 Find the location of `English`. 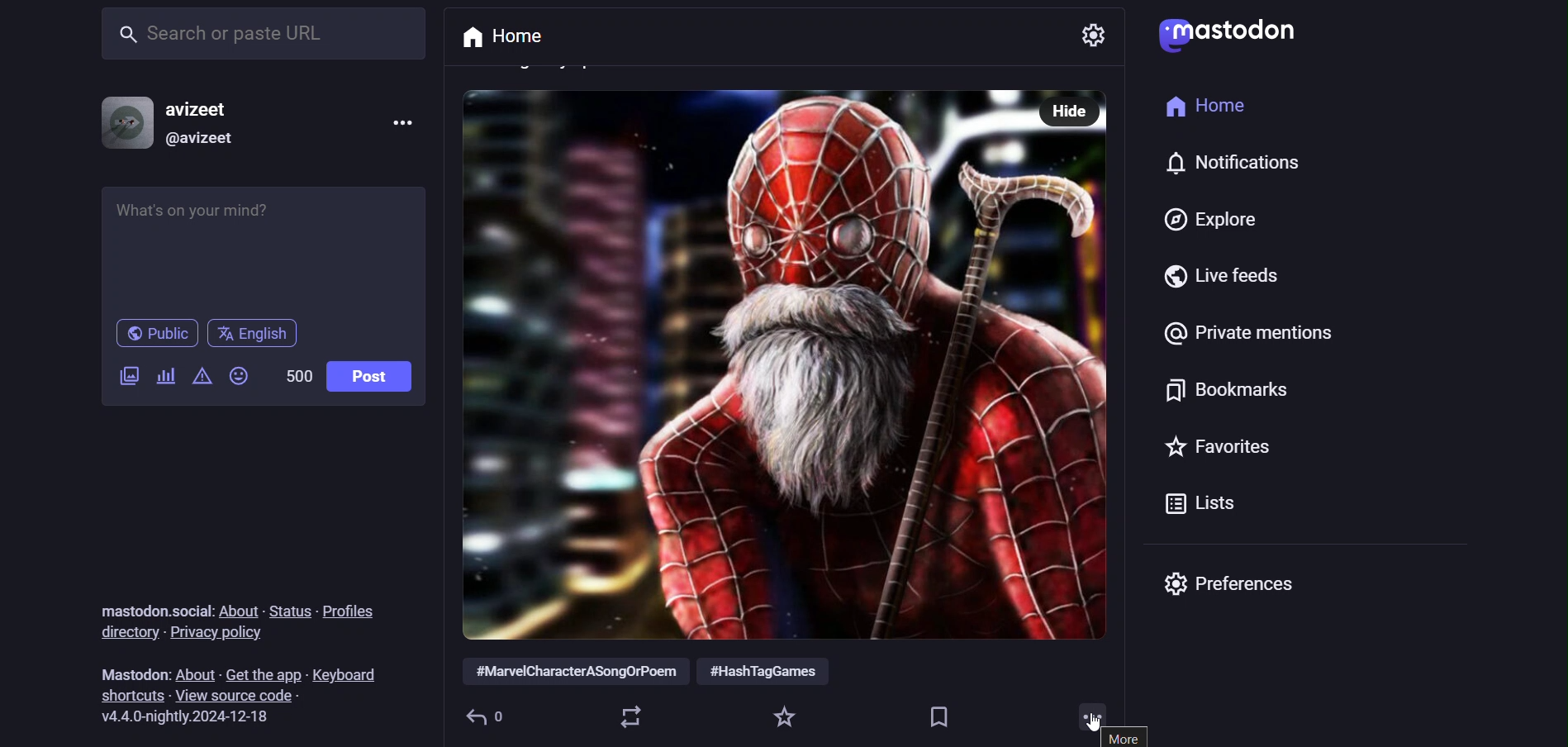

English is located at coordinates (262, 332).